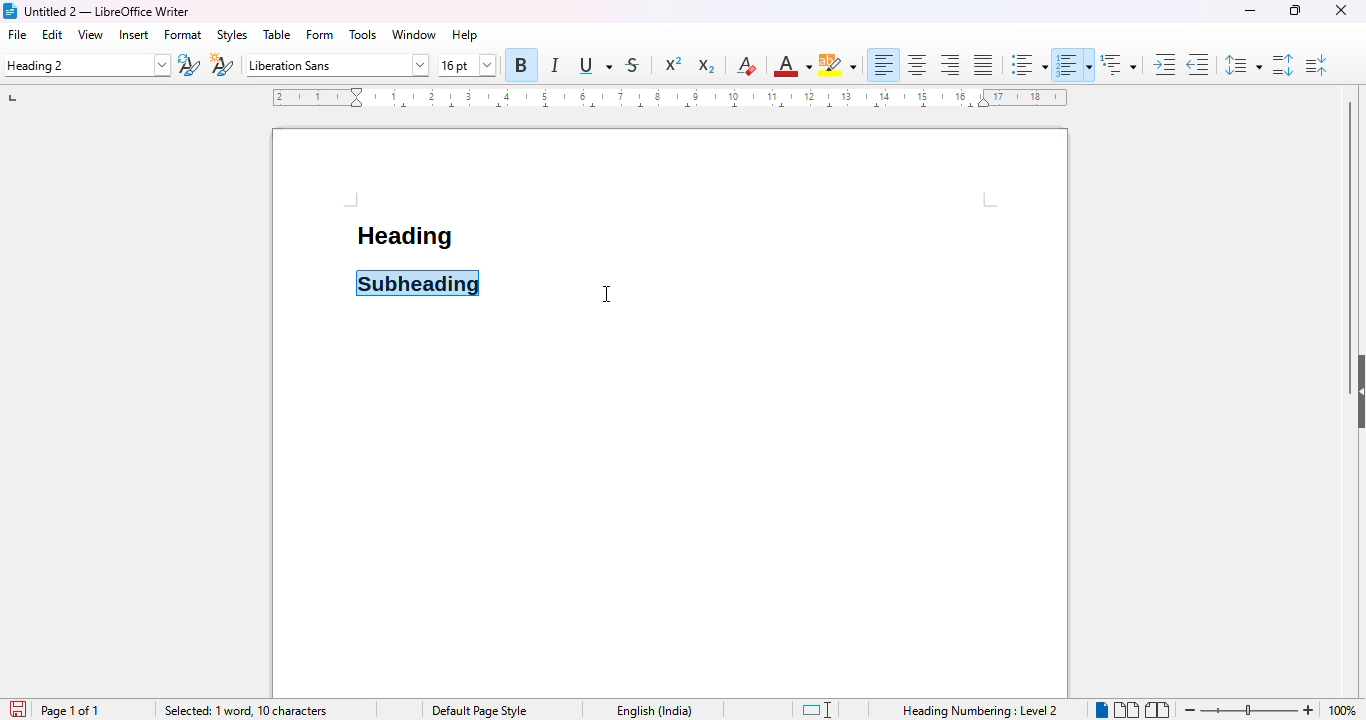 Image resolution: width=1366 pixels, height=720 pixels. I want to click on close, so click(1341, 10).